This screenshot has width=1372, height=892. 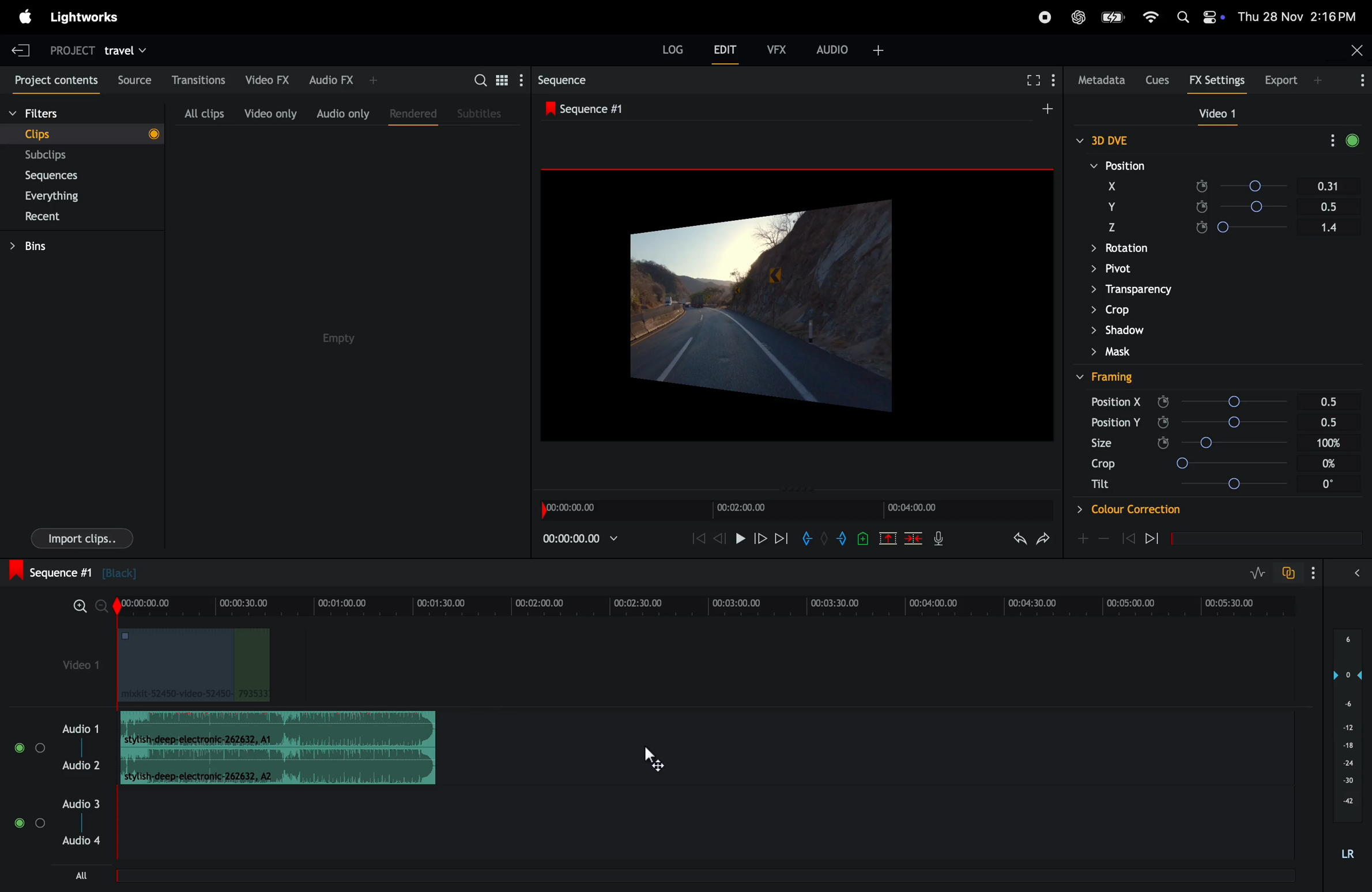 What do you see at coordinates (1039, 17) in the screenshot?
I see `record` at bounding box center [1039, 17].